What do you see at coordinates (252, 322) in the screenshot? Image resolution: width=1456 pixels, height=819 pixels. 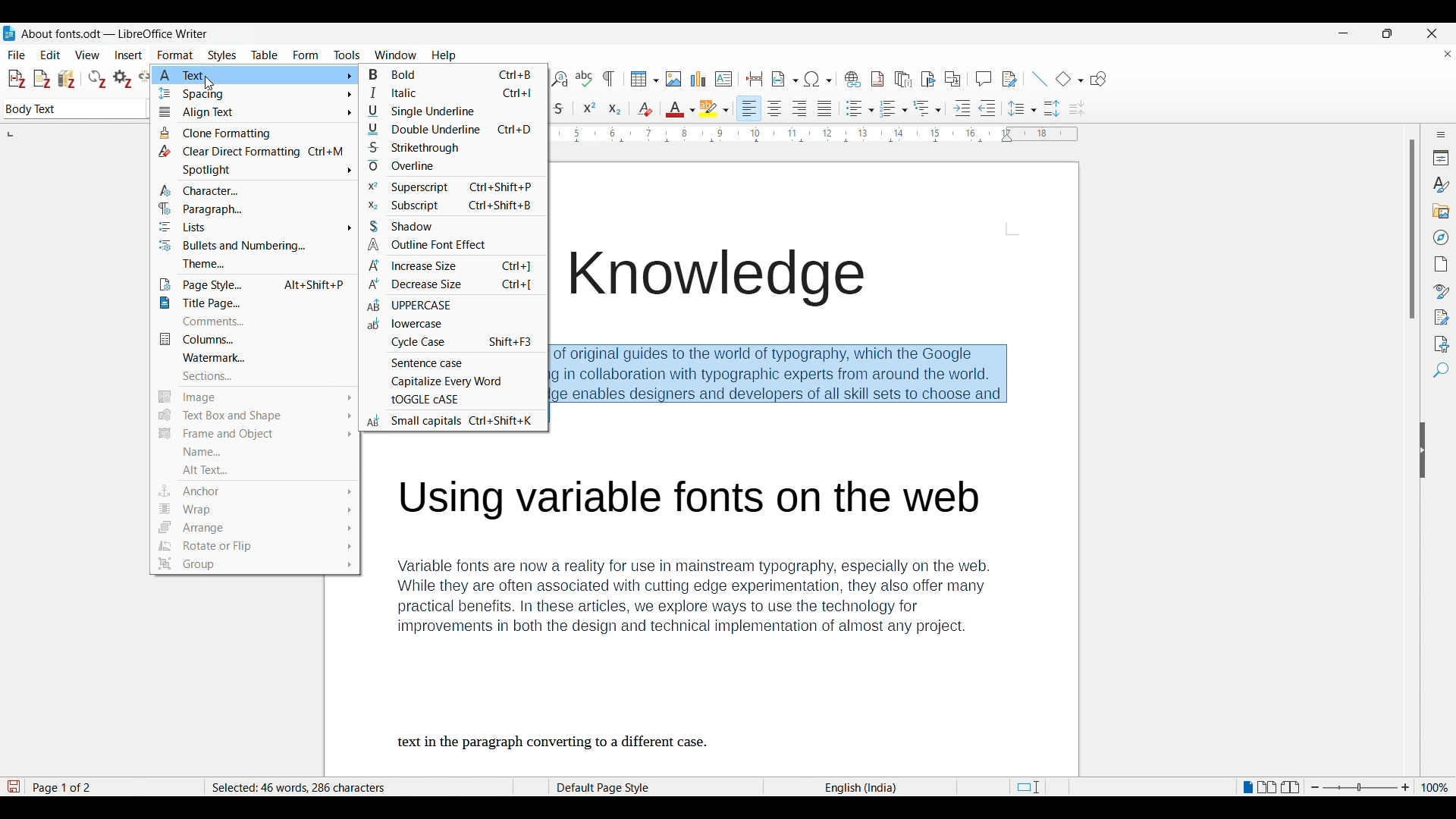 I see `Comments` at bounding box center [252, 322].